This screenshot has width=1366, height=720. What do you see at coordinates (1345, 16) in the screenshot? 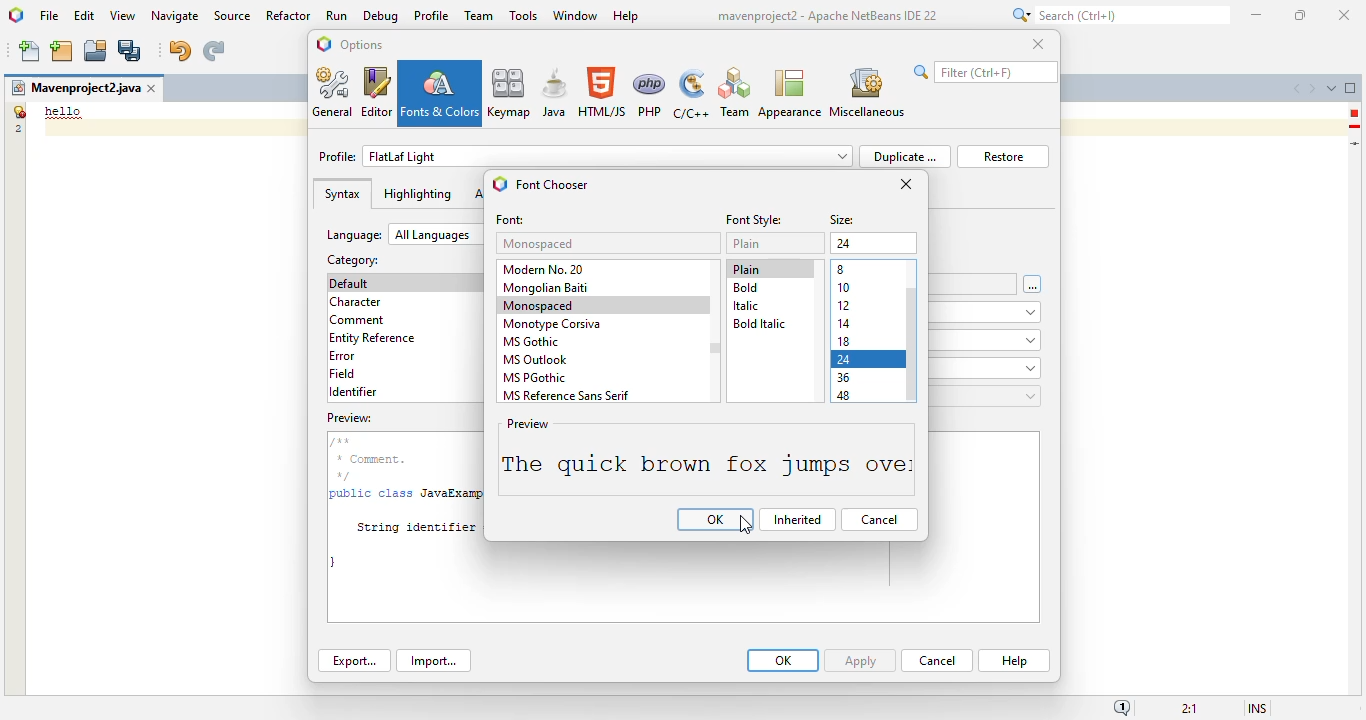
I see `close` at bounding box center [1345, 16].